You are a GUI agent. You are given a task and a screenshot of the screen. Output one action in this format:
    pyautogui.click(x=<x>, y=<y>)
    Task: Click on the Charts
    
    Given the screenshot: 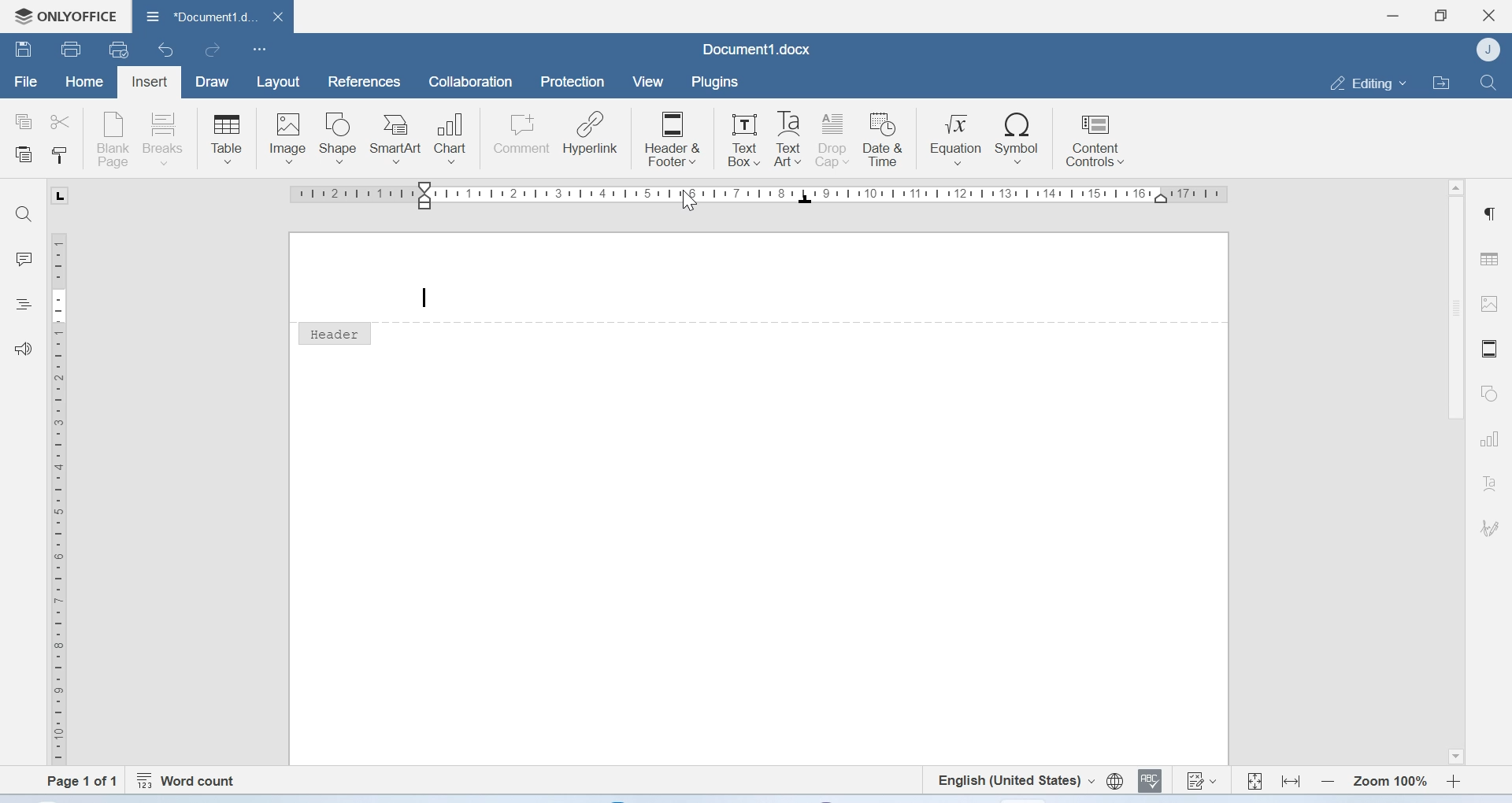 What is the action you would take?
    pyautogui.click(x=1488, y=440)
    